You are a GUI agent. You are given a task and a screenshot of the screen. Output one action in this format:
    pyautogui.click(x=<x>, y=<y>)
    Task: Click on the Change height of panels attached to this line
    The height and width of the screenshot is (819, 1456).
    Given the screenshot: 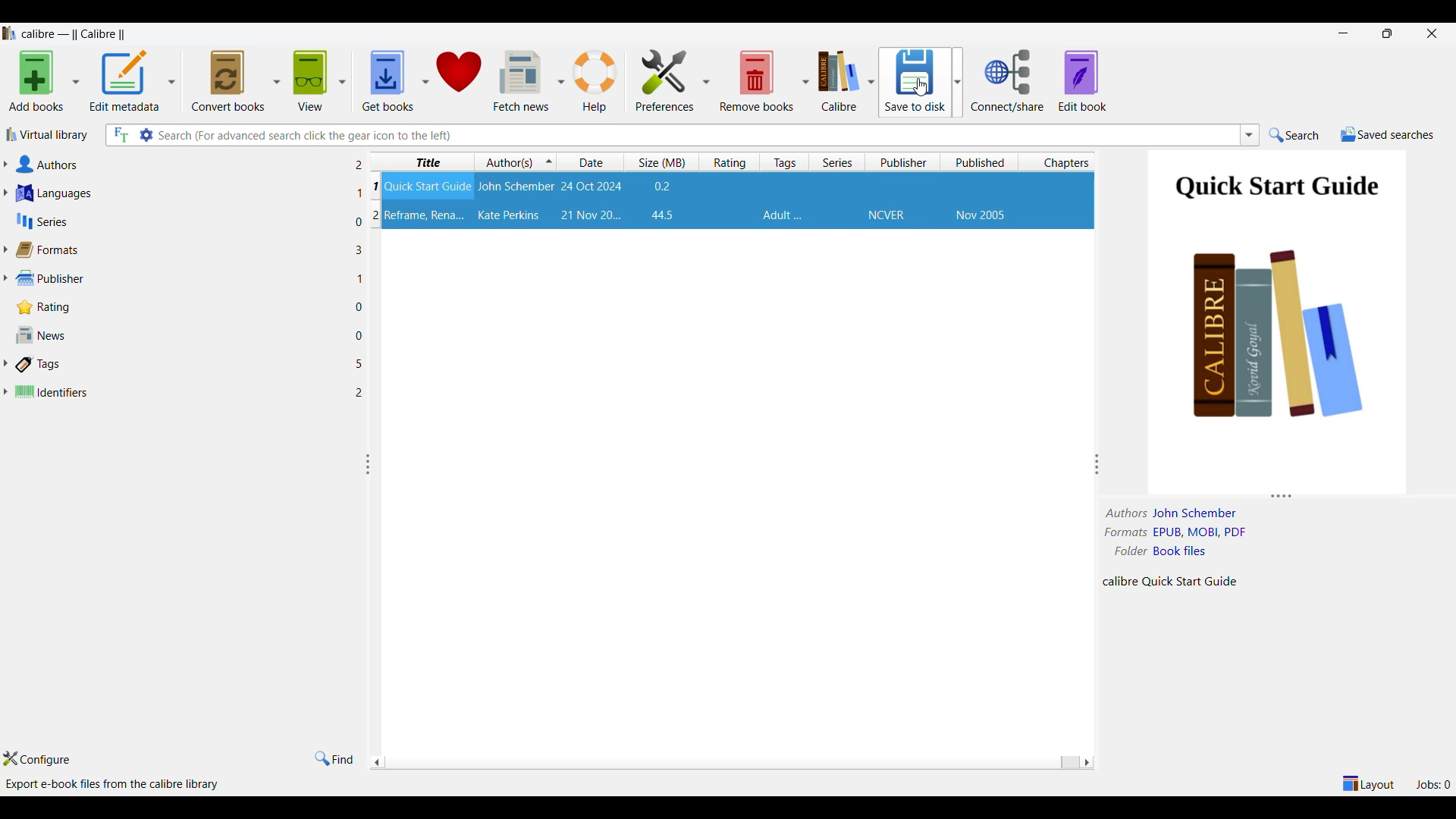 What is the action you would take?
    pyautogui.click(x=1273, y=494)
    